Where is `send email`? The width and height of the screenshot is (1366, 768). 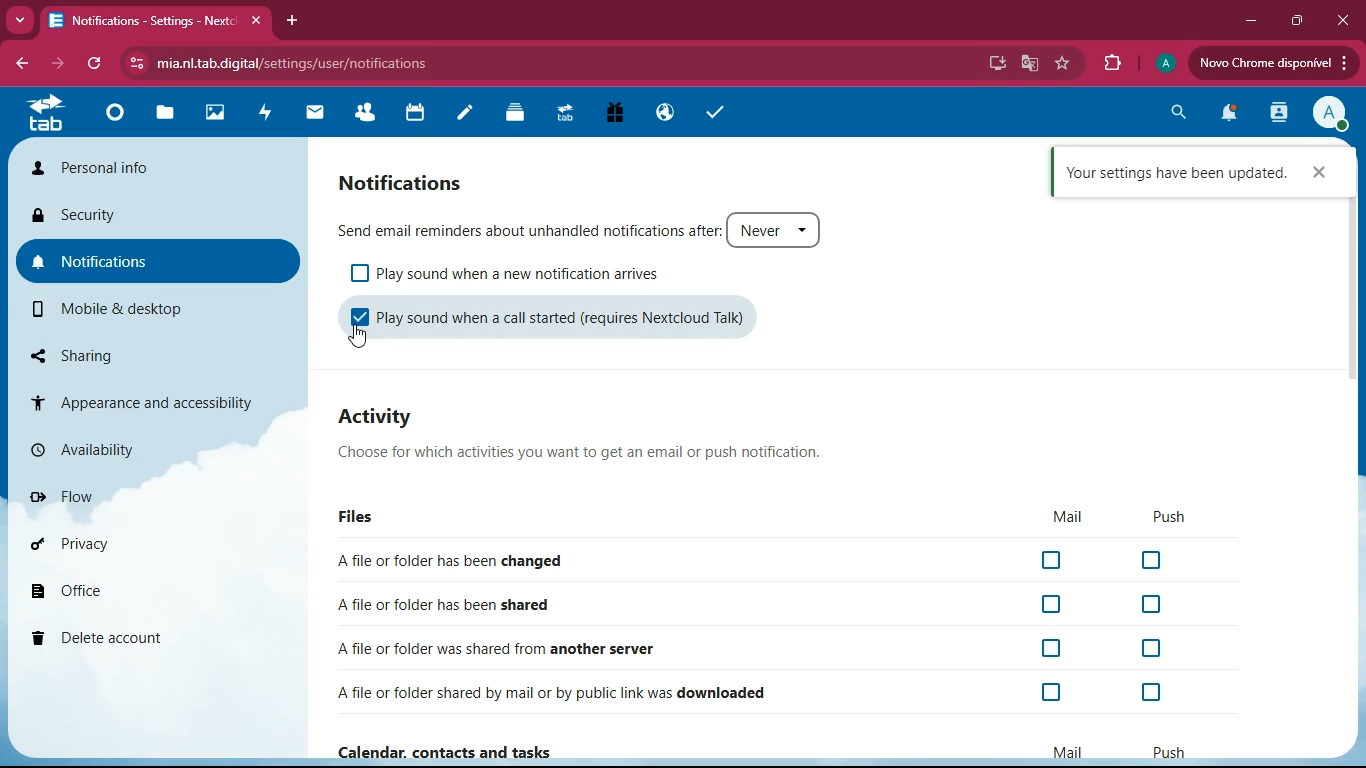 send email is located at coordinates (528, 231).